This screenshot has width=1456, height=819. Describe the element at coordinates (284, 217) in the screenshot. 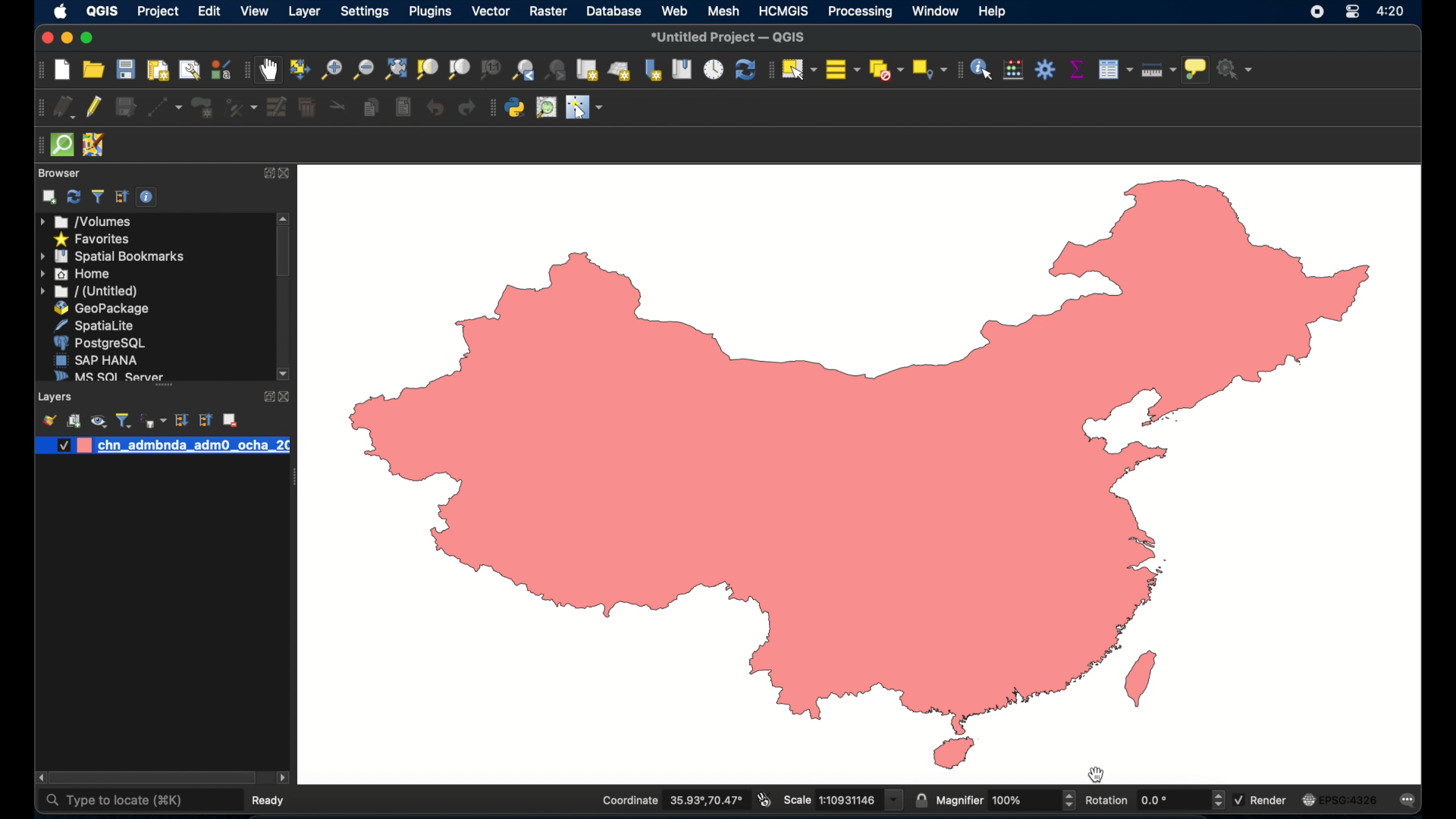

I see `scroll up arrow` at that location.